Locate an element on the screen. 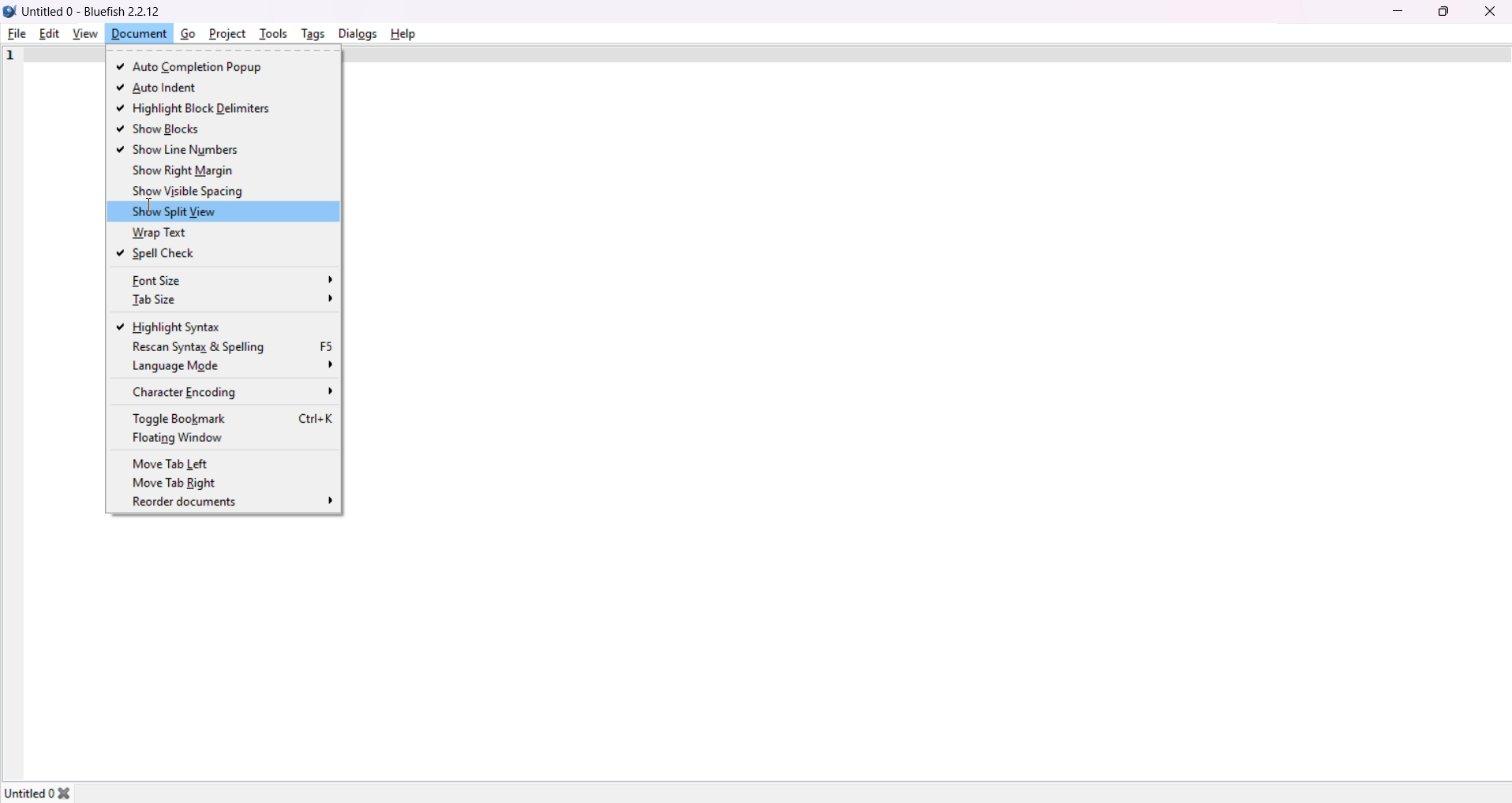 The height and width of the screenshot is (803, 1512). font size is located at coordinates (231, 280).